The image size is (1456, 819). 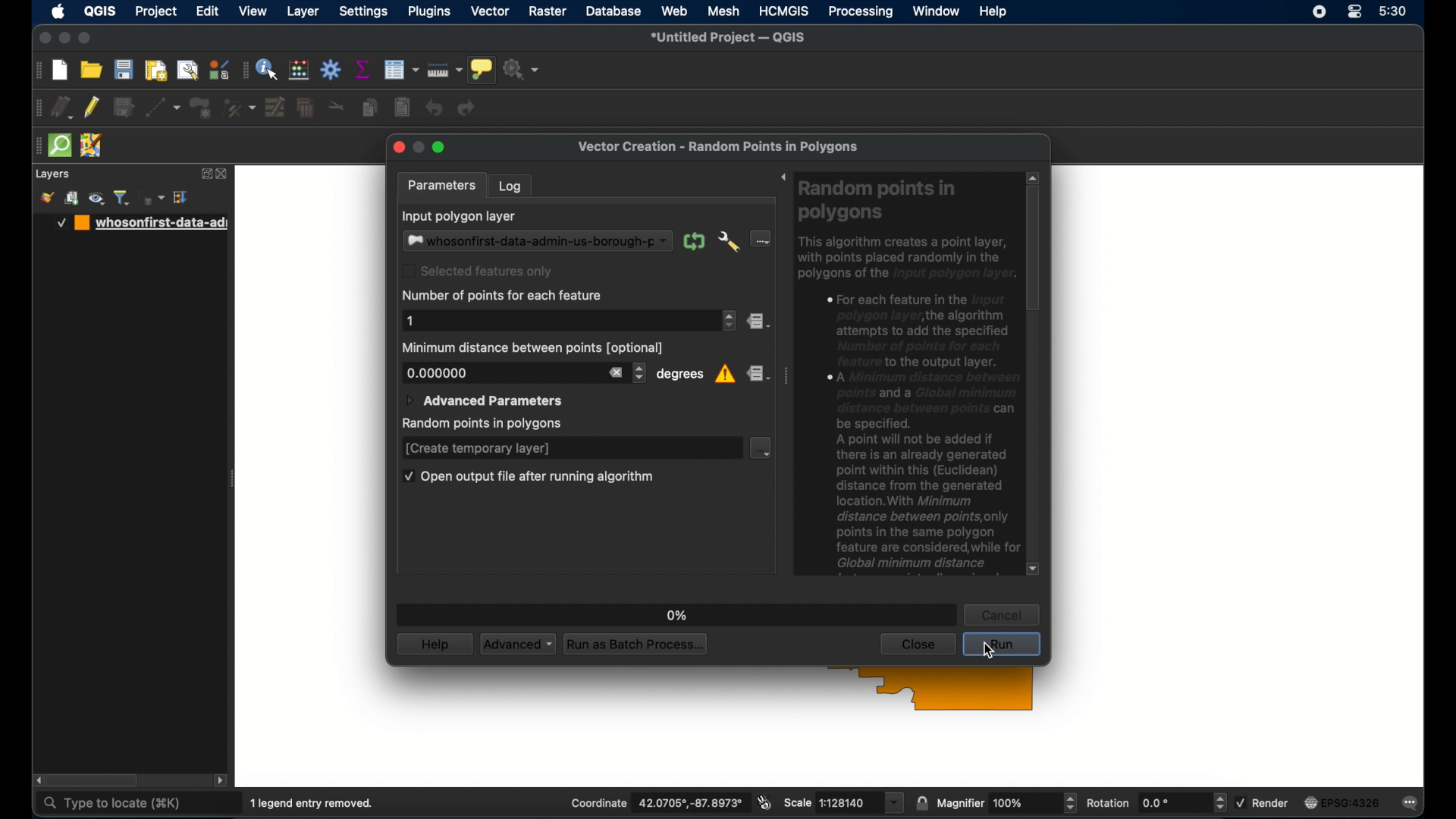 I want to click on screen recorder icon, so click(x=1319, y=12).